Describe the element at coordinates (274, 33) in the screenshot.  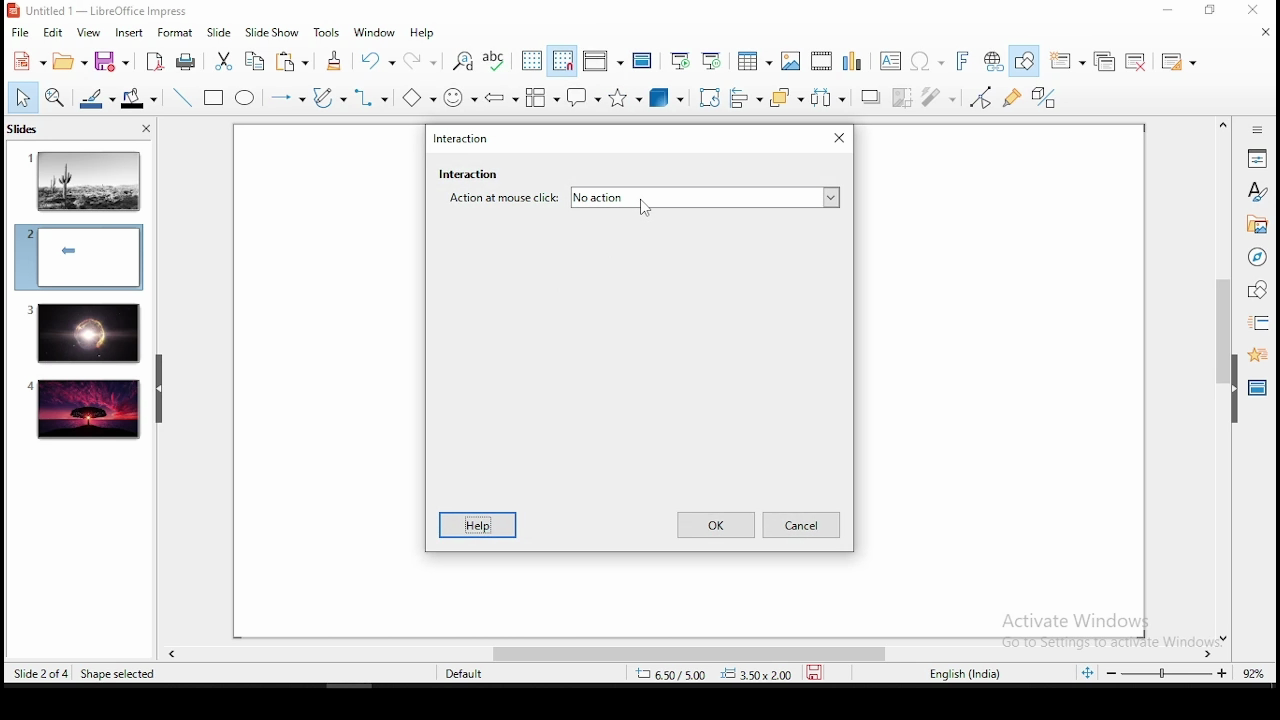
I see `slide show` at that location.